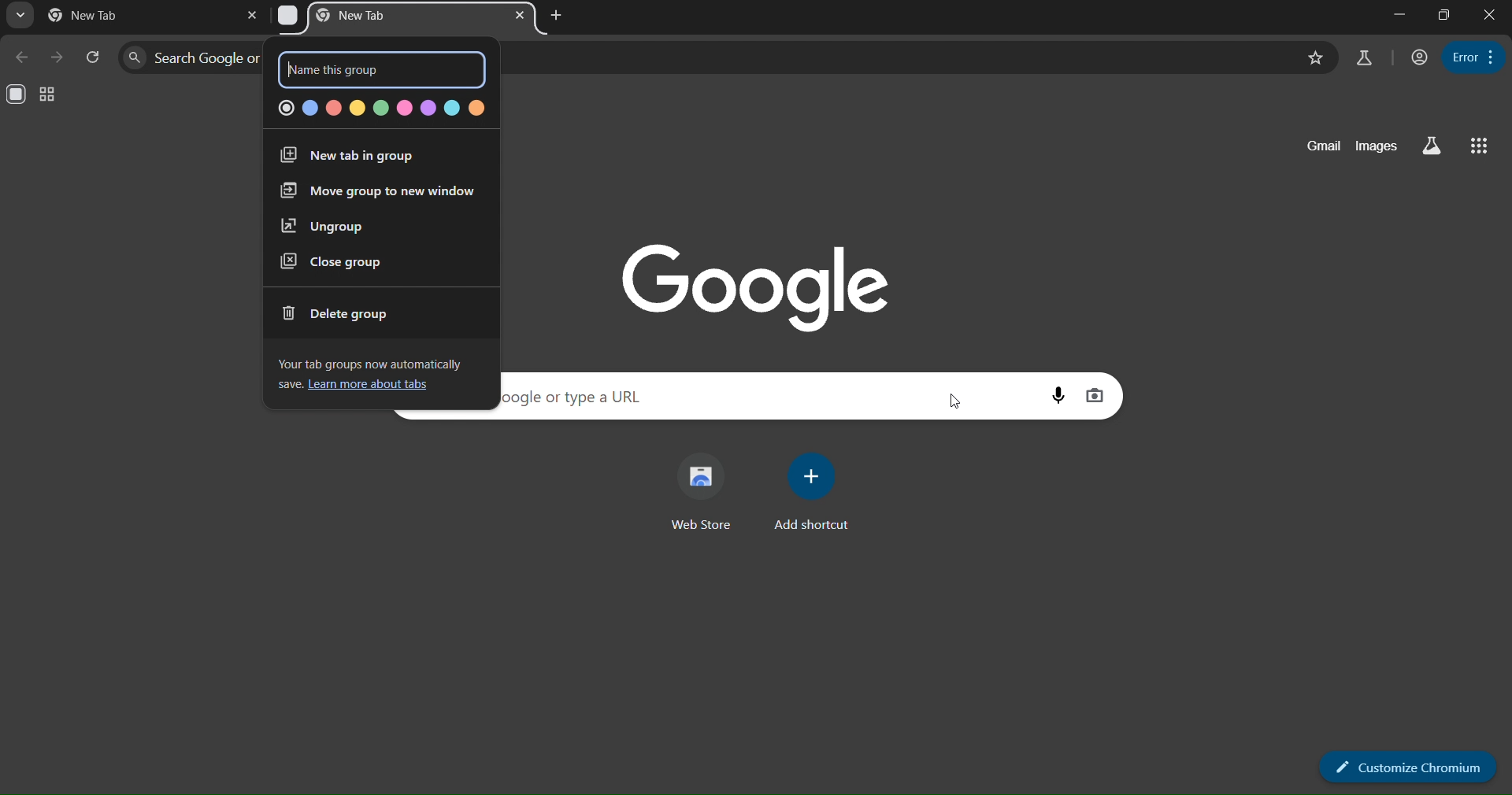 This screenshot has width=1512, height=795. I want to click on current page, so click(98, 15).